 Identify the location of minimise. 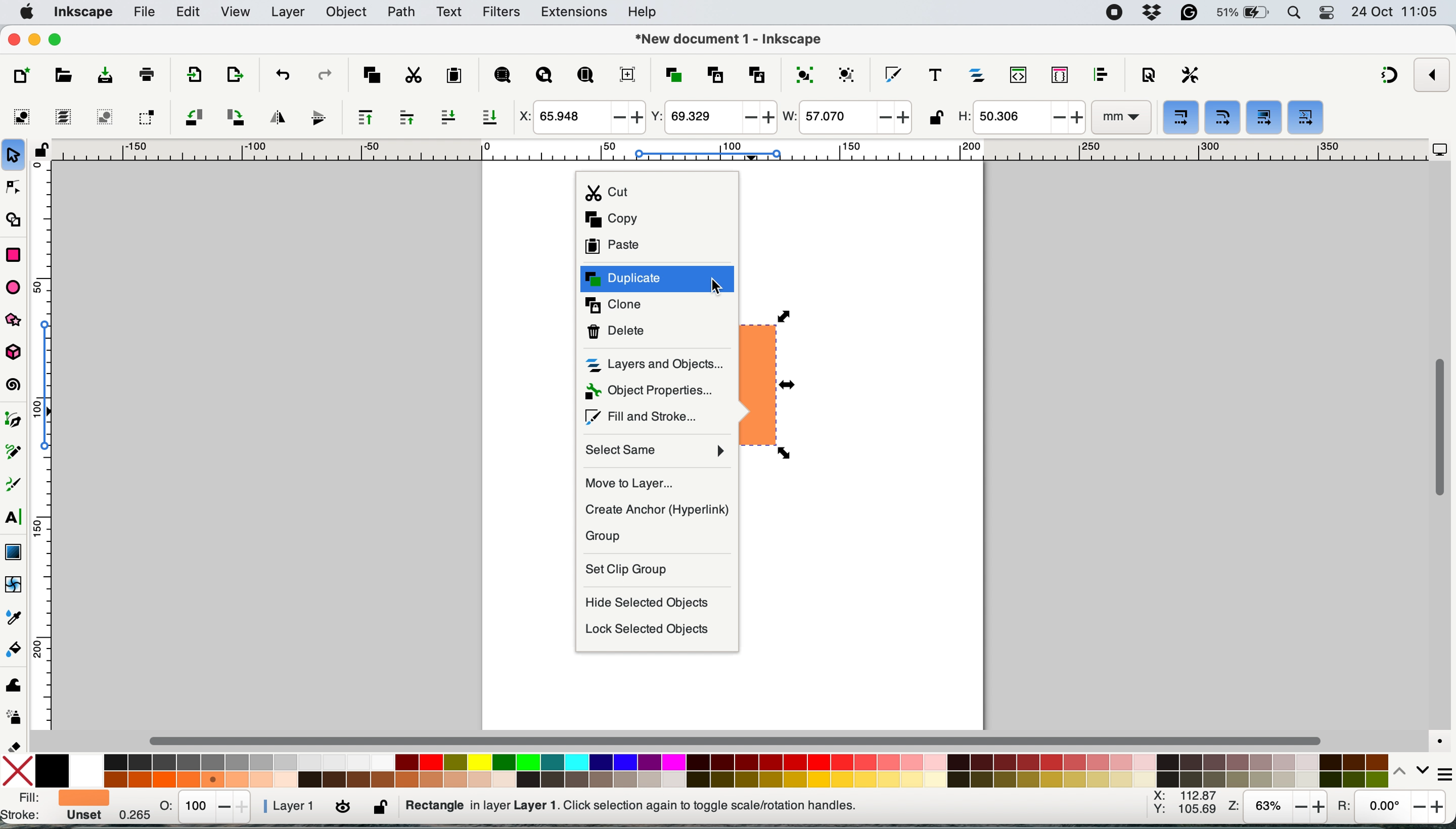
(34, 38).